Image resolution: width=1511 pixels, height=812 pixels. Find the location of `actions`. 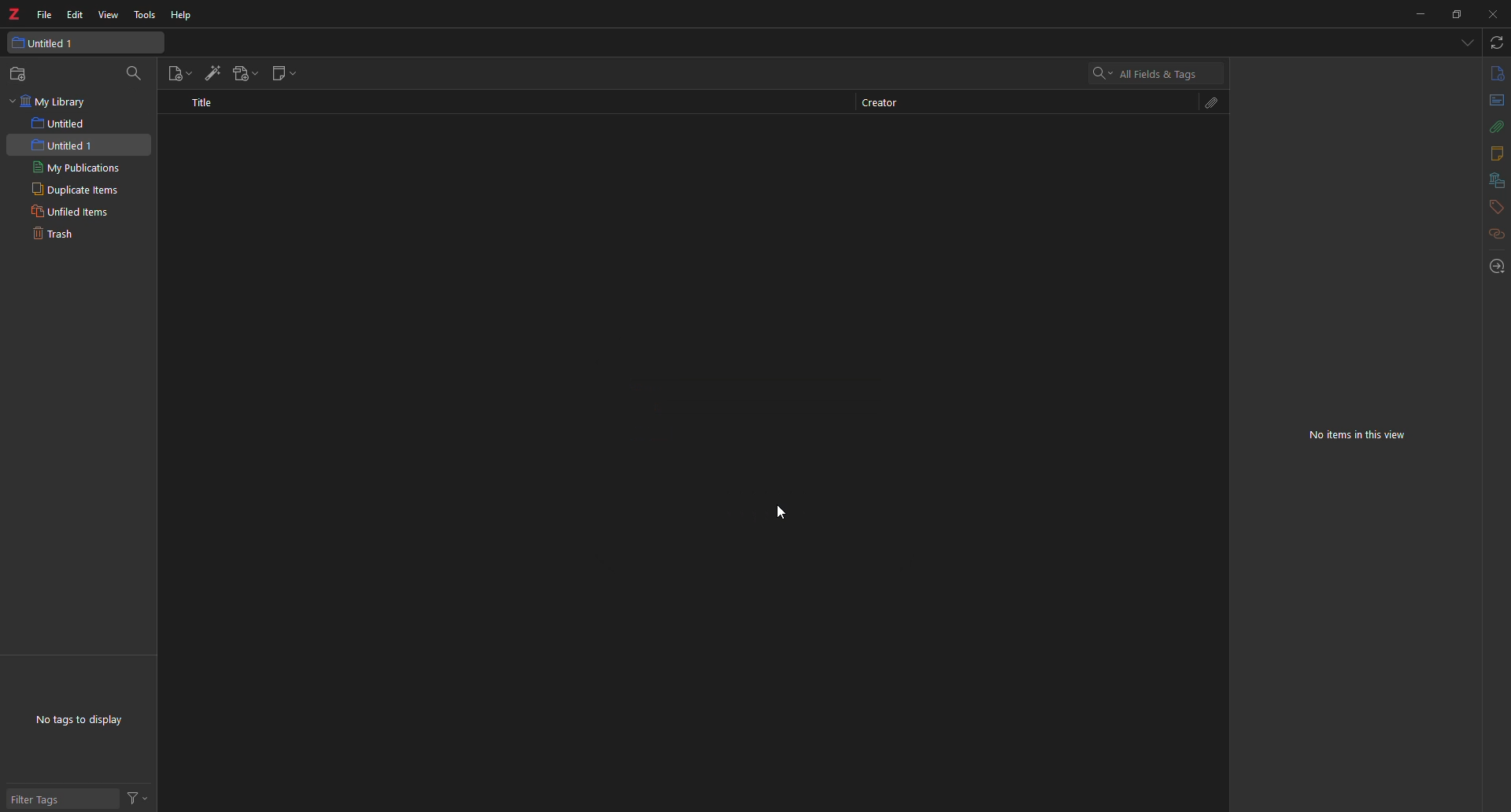

actions is located at coordinates (142, 795).